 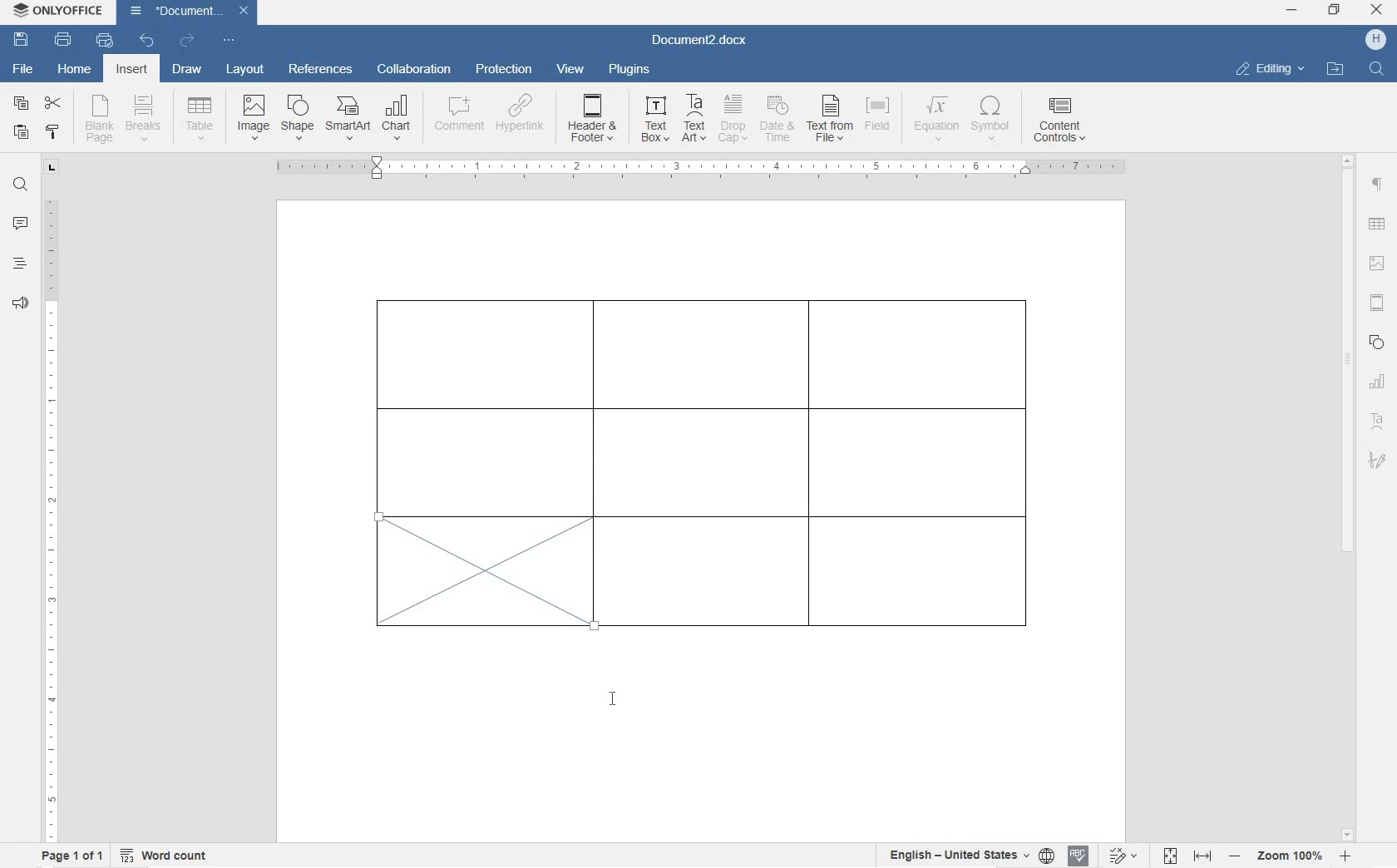 What do you see at coordinates (1380, 382) in the screenshot?
I see `chart settings` at bounding box center [1380, 382].